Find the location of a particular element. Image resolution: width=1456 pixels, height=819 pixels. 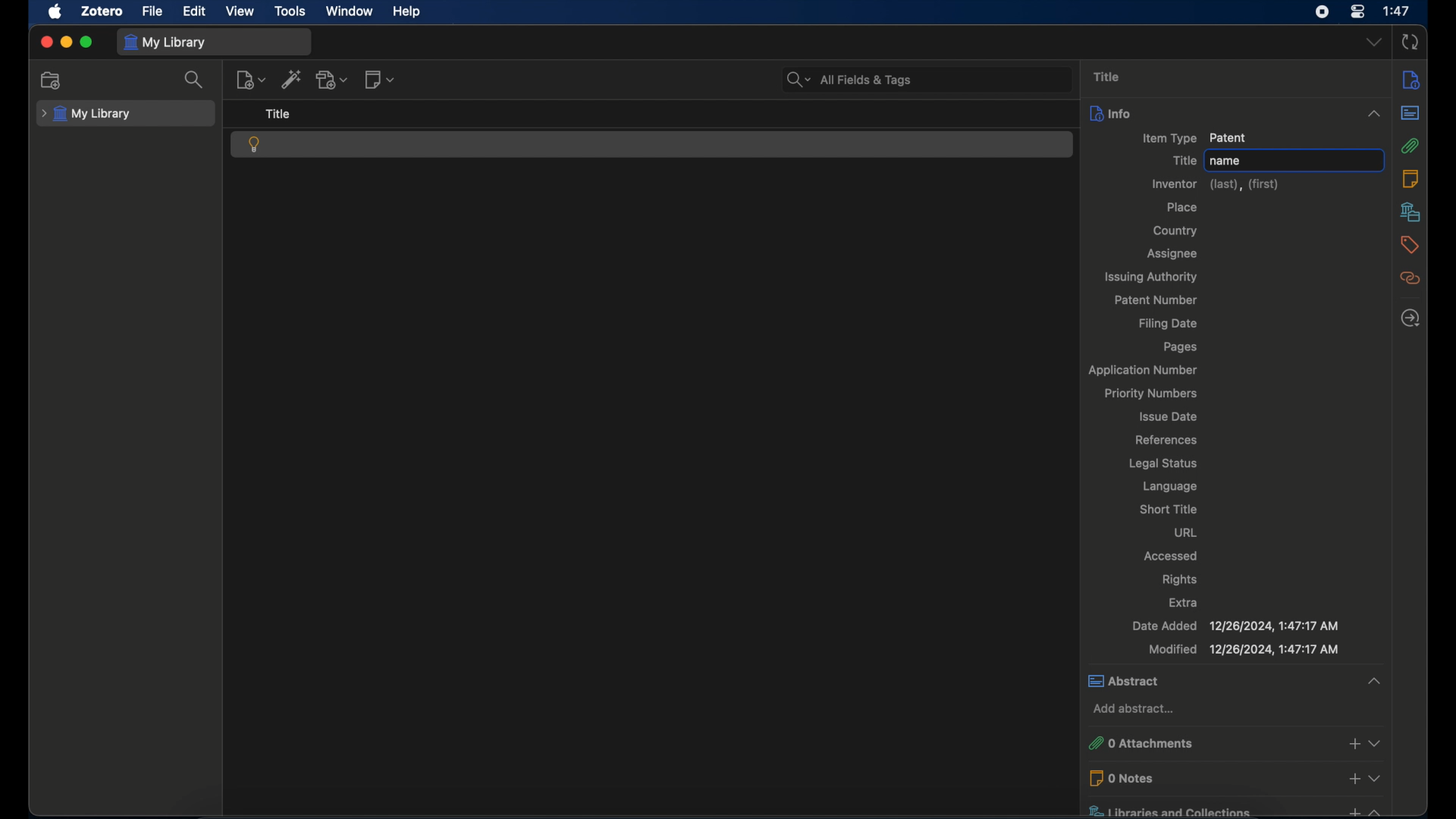

Collapse or expand  is located at coordinates (1379, 809).